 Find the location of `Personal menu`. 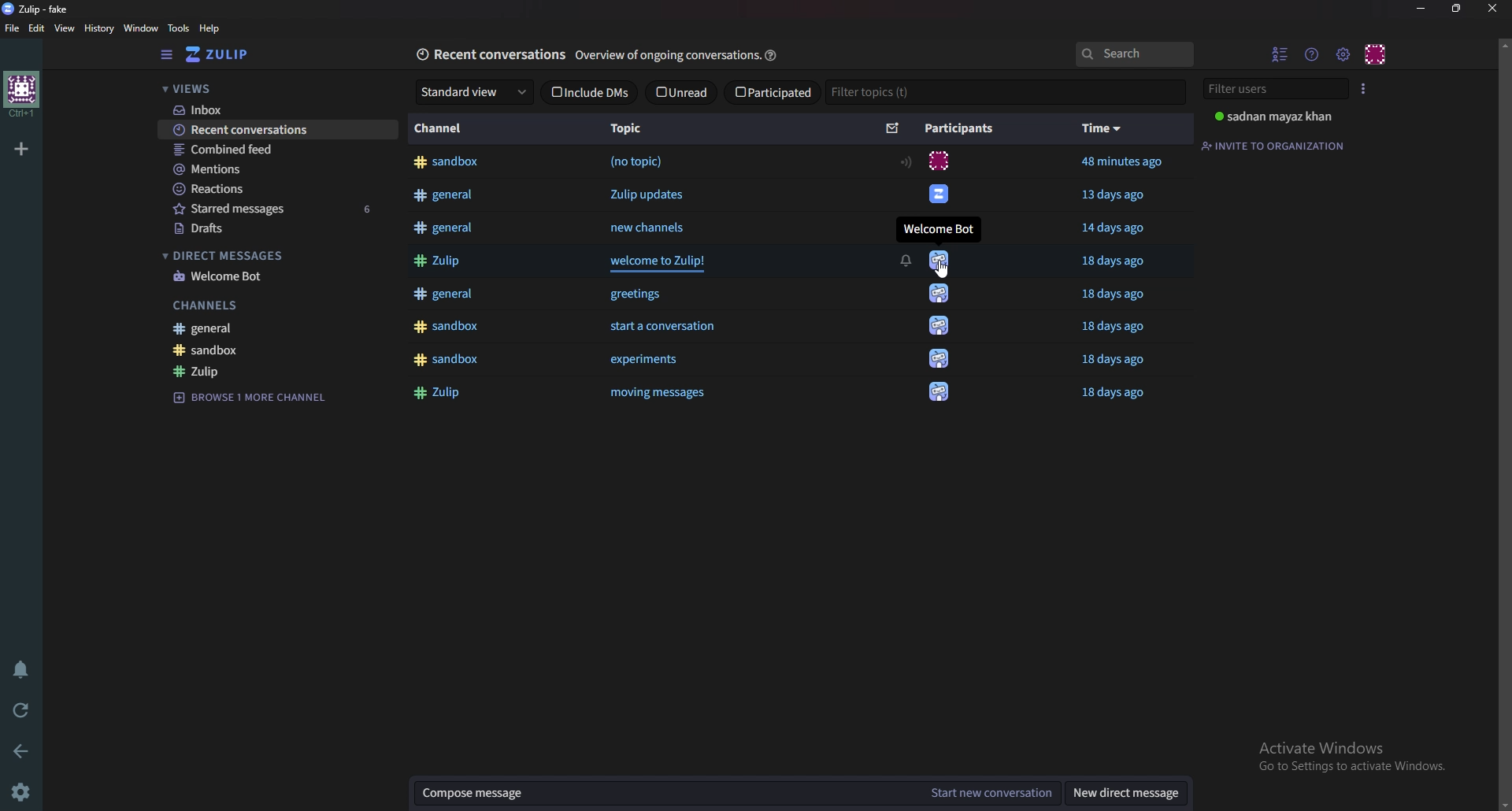

Personal menu is located at coordinates (1376, 54).